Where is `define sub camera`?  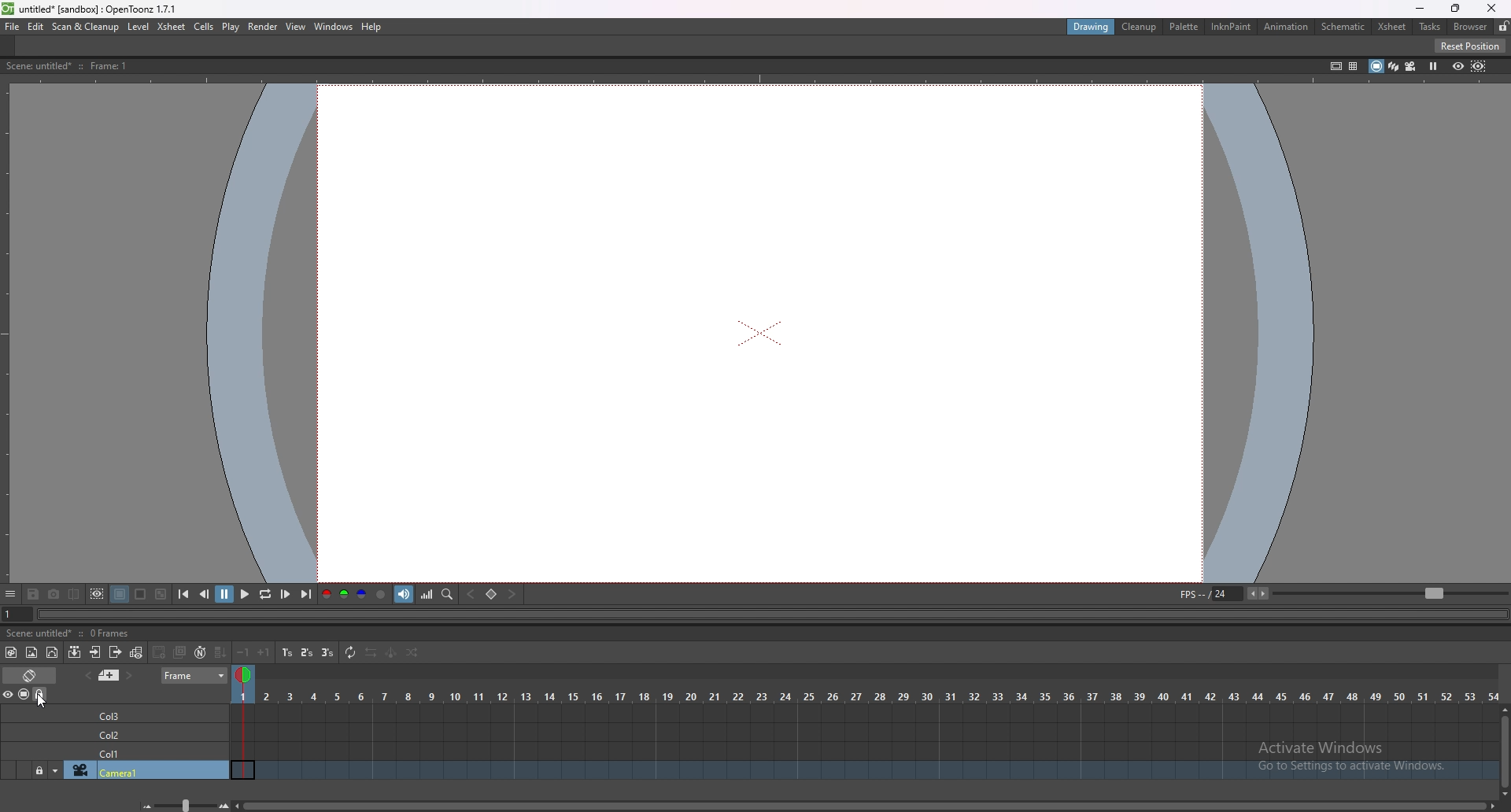 define sub camera is located at coordinates (98, 593).